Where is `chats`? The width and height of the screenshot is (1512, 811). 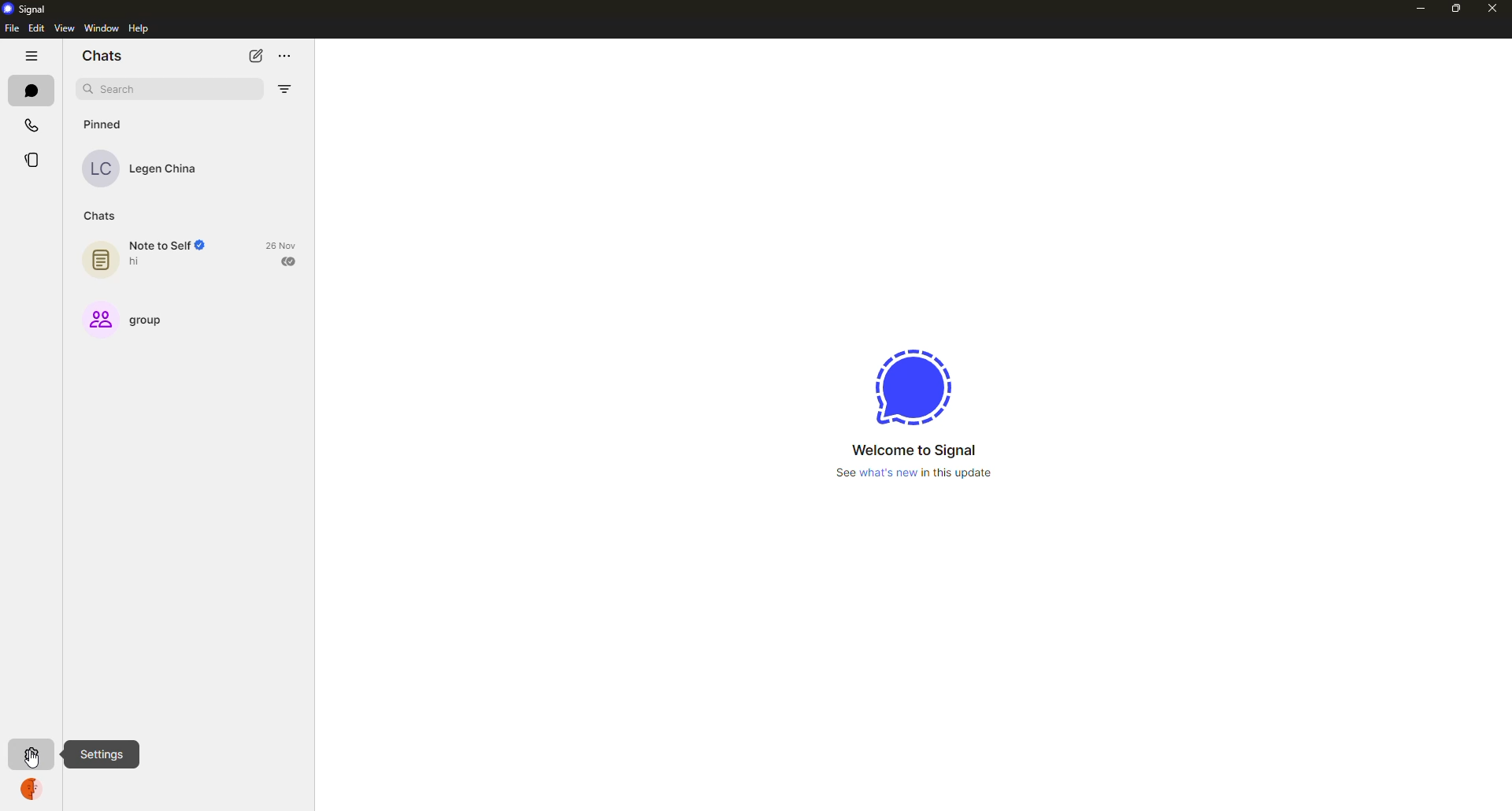
chats is located at coordinates (33, 91).